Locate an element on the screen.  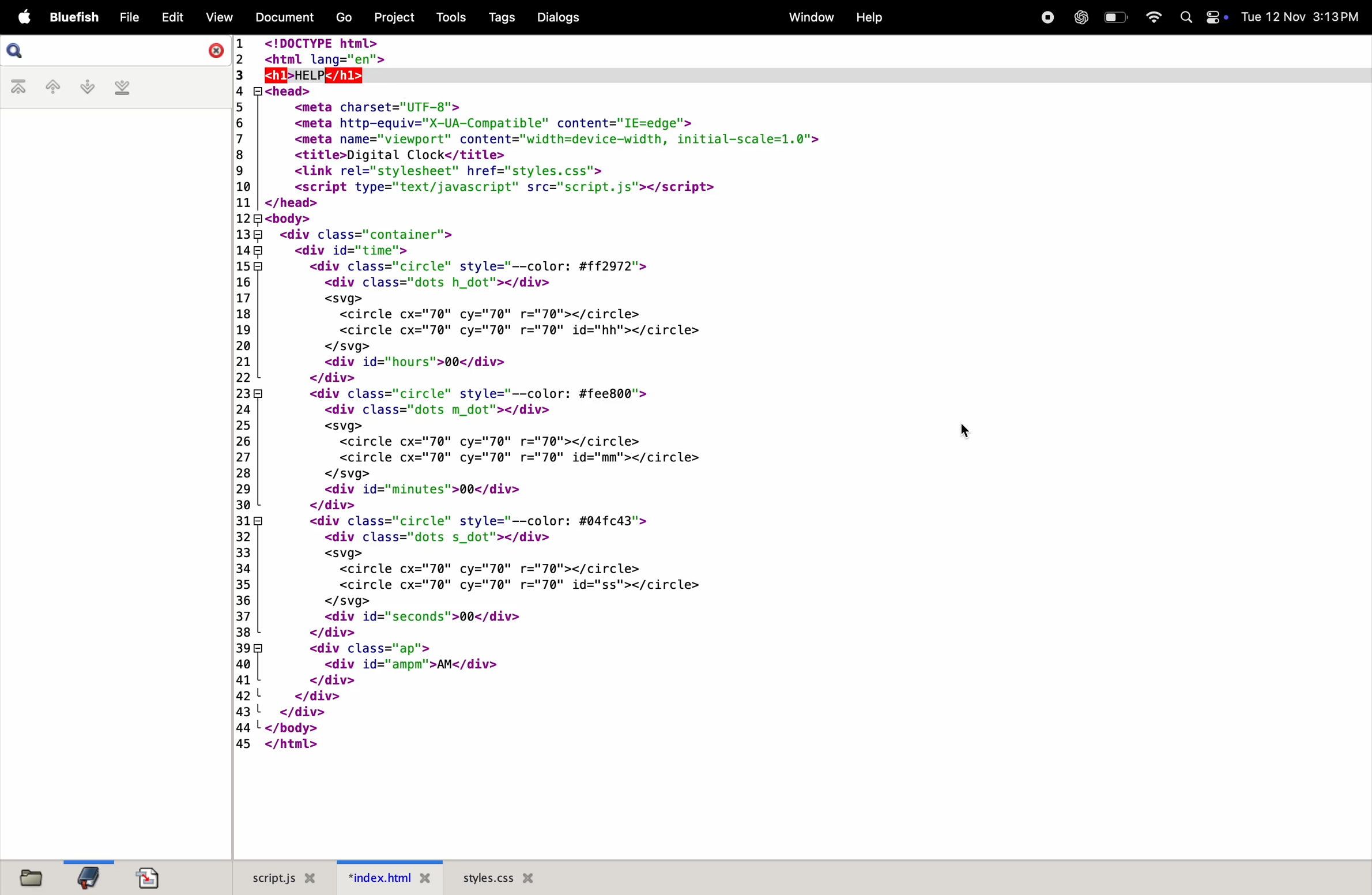
document is located at coordinates (281, 16).